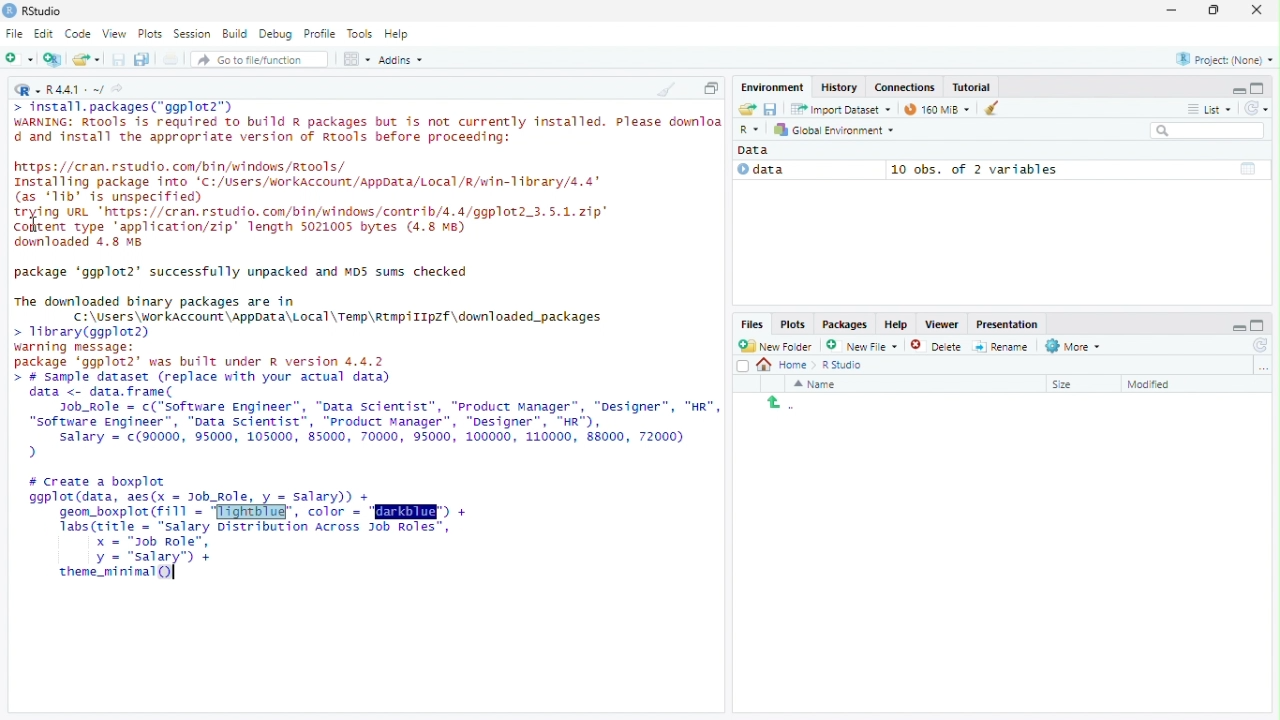  Describe the element at coordinates (53, 59) in the screenshot. I see `create a project` at that location.